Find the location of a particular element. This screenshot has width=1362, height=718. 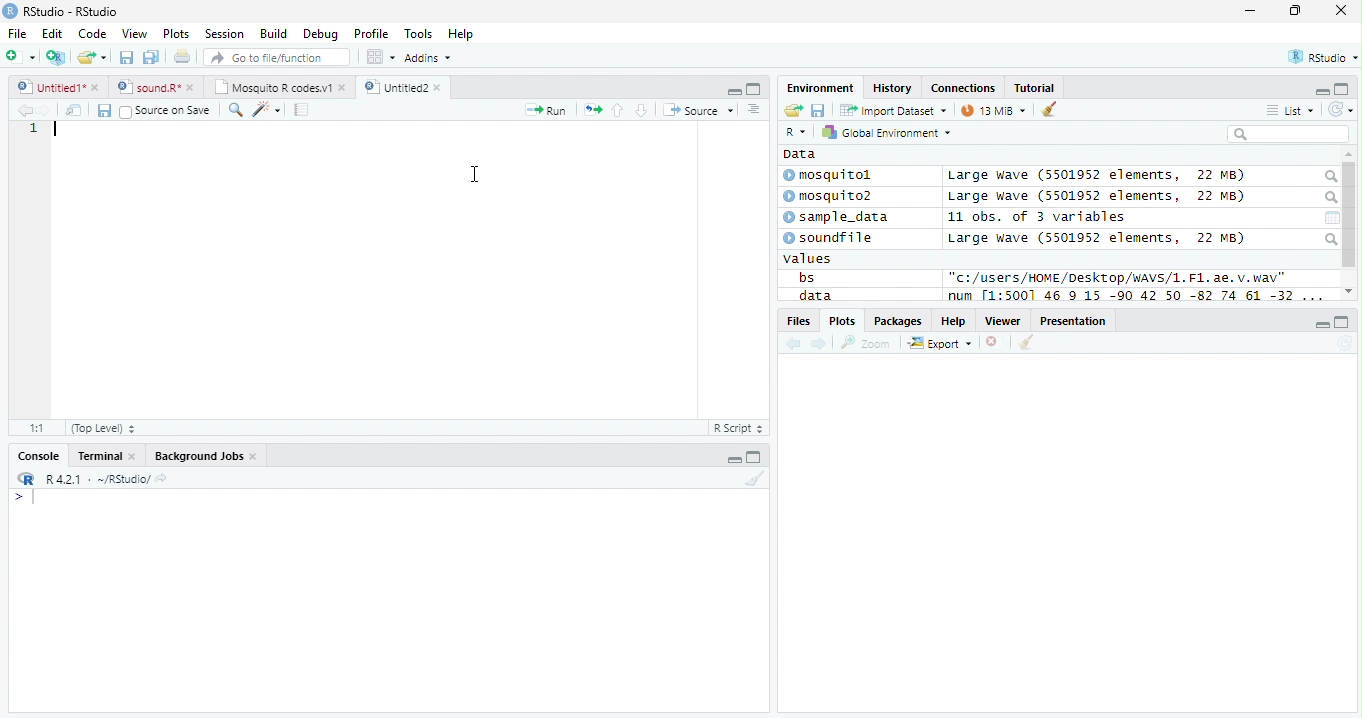

"c:/users/HOME /Desktop/WAVS/1.F1. ae. v.wav" is located at coordinates (1118, 277).